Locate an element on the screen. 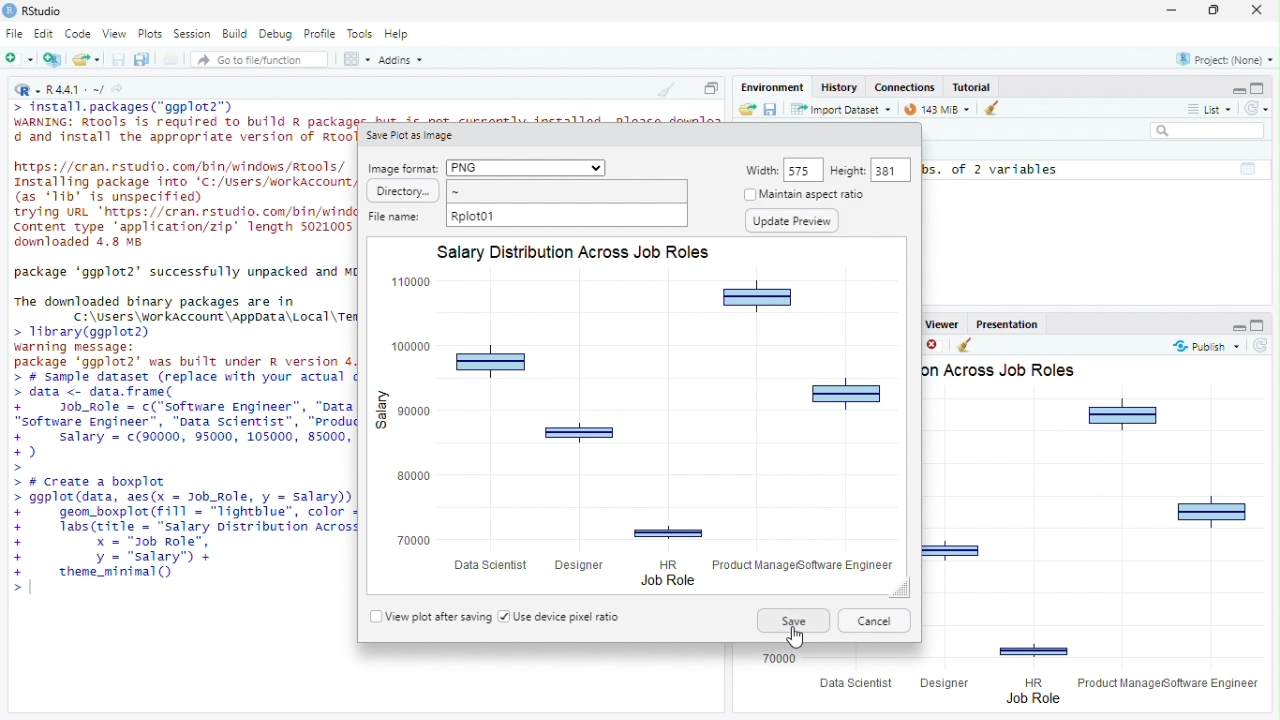  View is located at coordinates (113, 34).